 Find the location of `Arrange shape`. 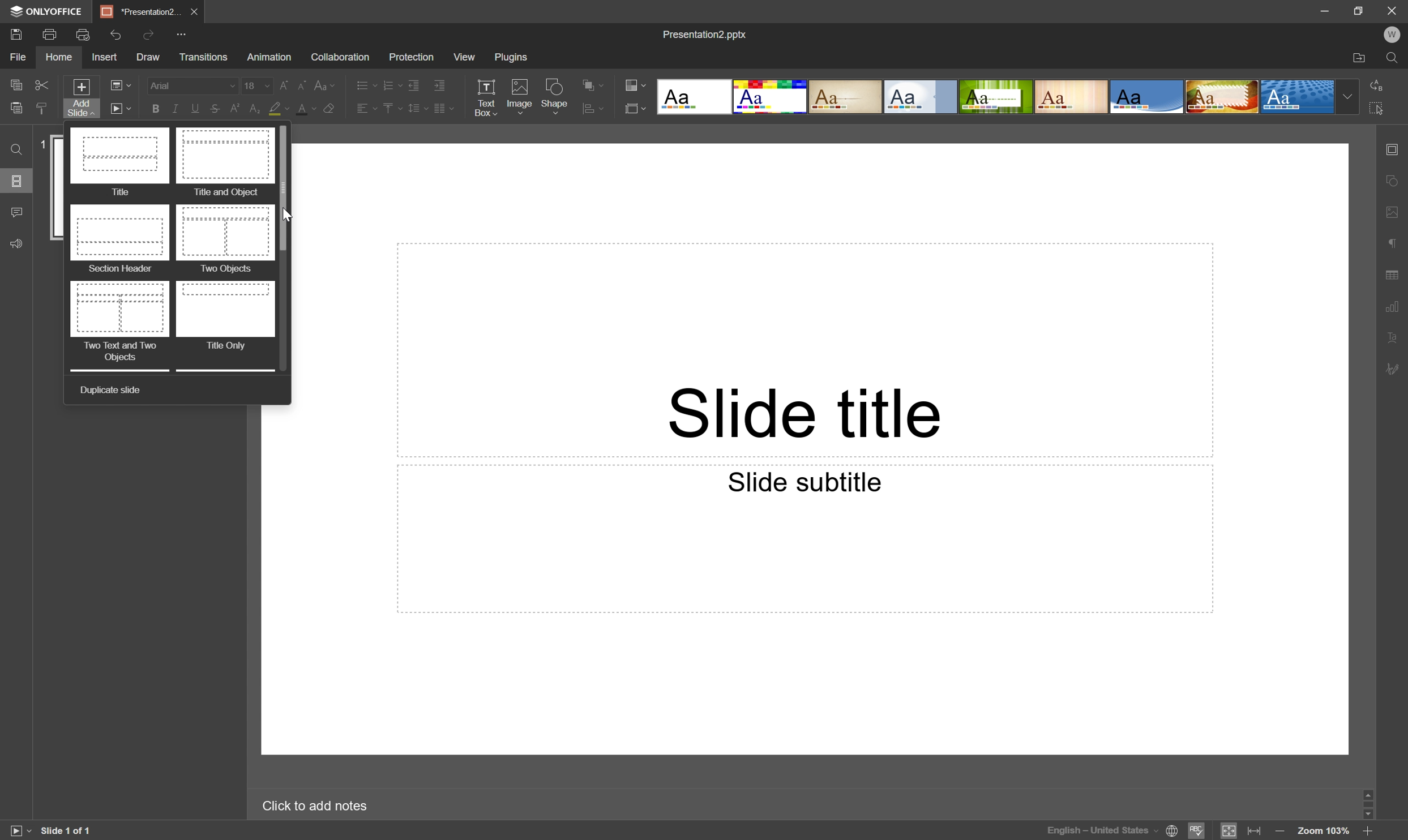

Arrange shape is located at coordinates (596, 108).